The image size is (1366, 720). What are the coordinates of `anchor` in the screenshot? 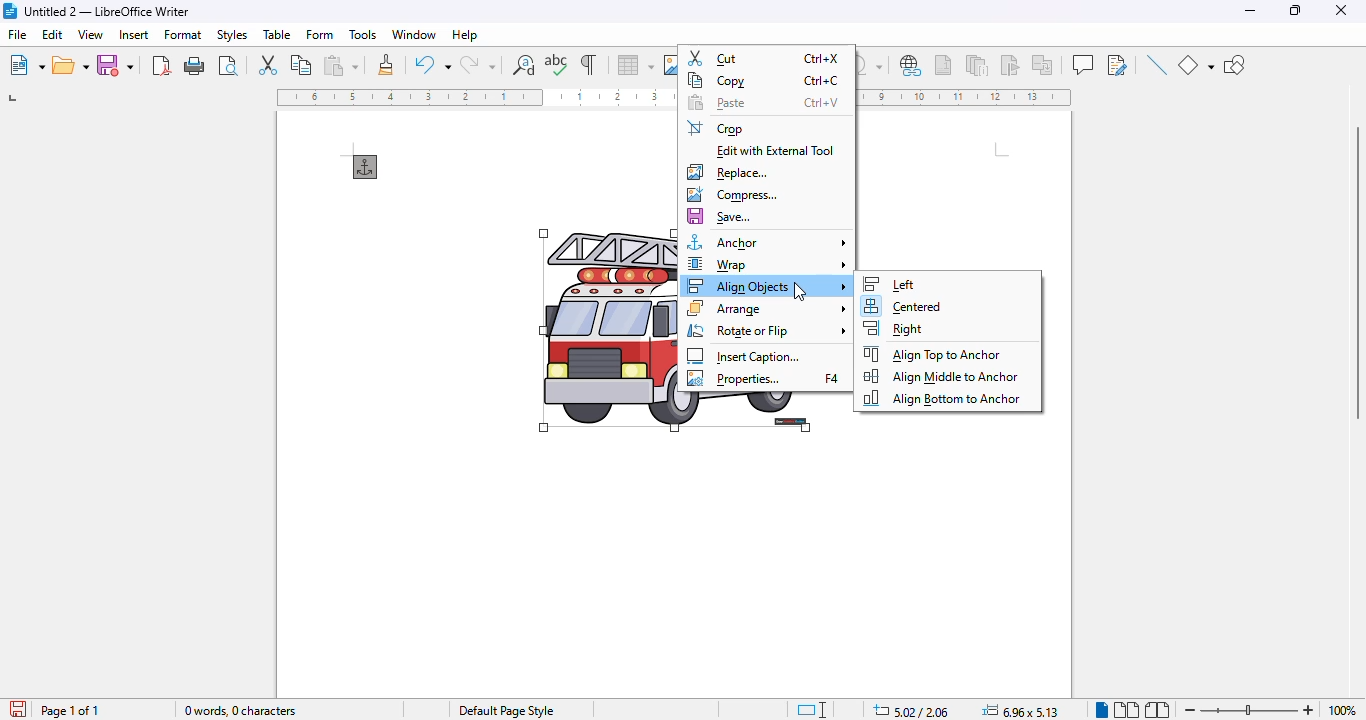 It's located at (768, 242).